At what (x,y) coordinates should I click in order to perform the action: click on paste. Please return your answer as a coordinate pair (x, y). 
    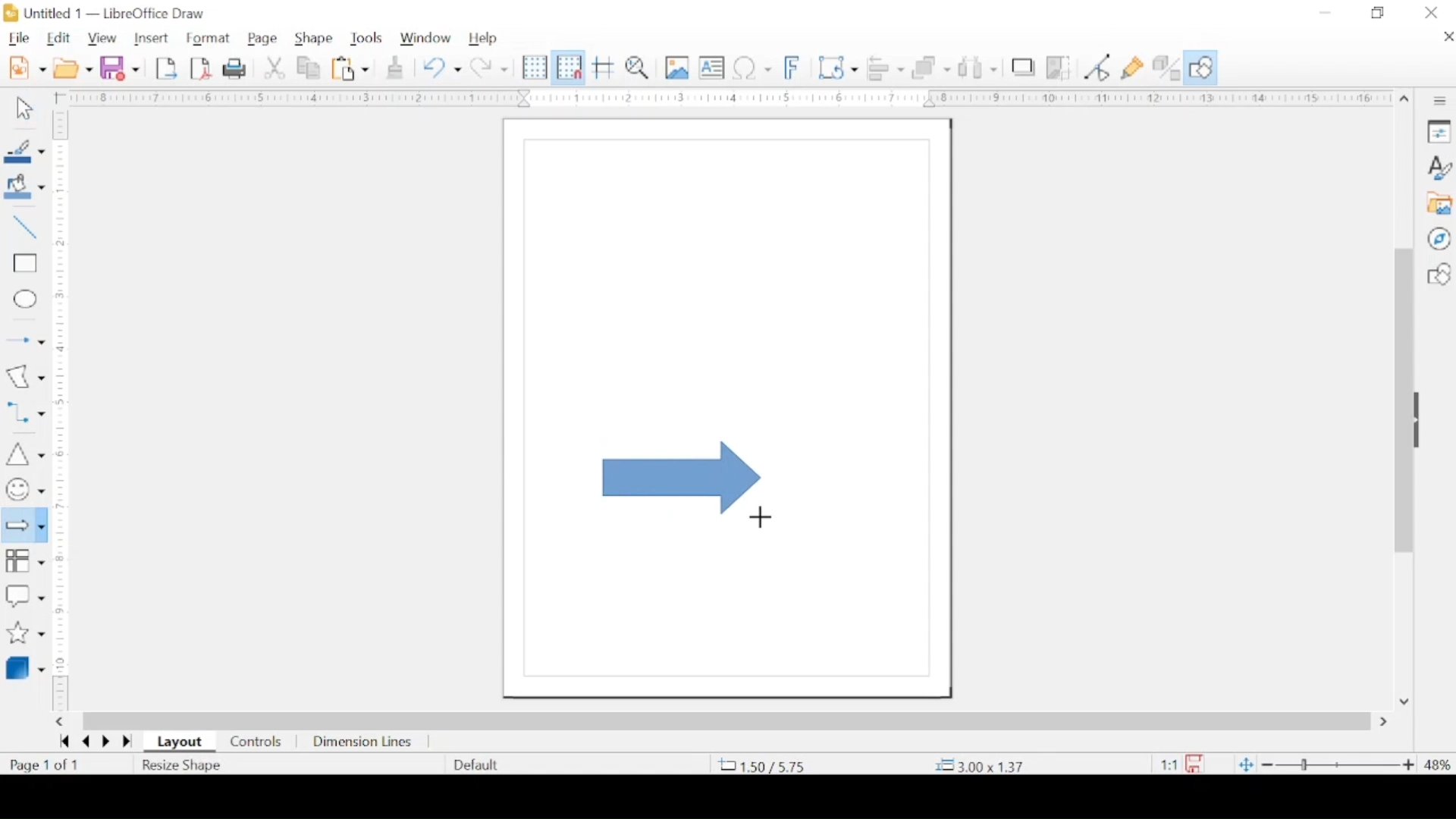
    Looking at the image, I should click on (350, 67).